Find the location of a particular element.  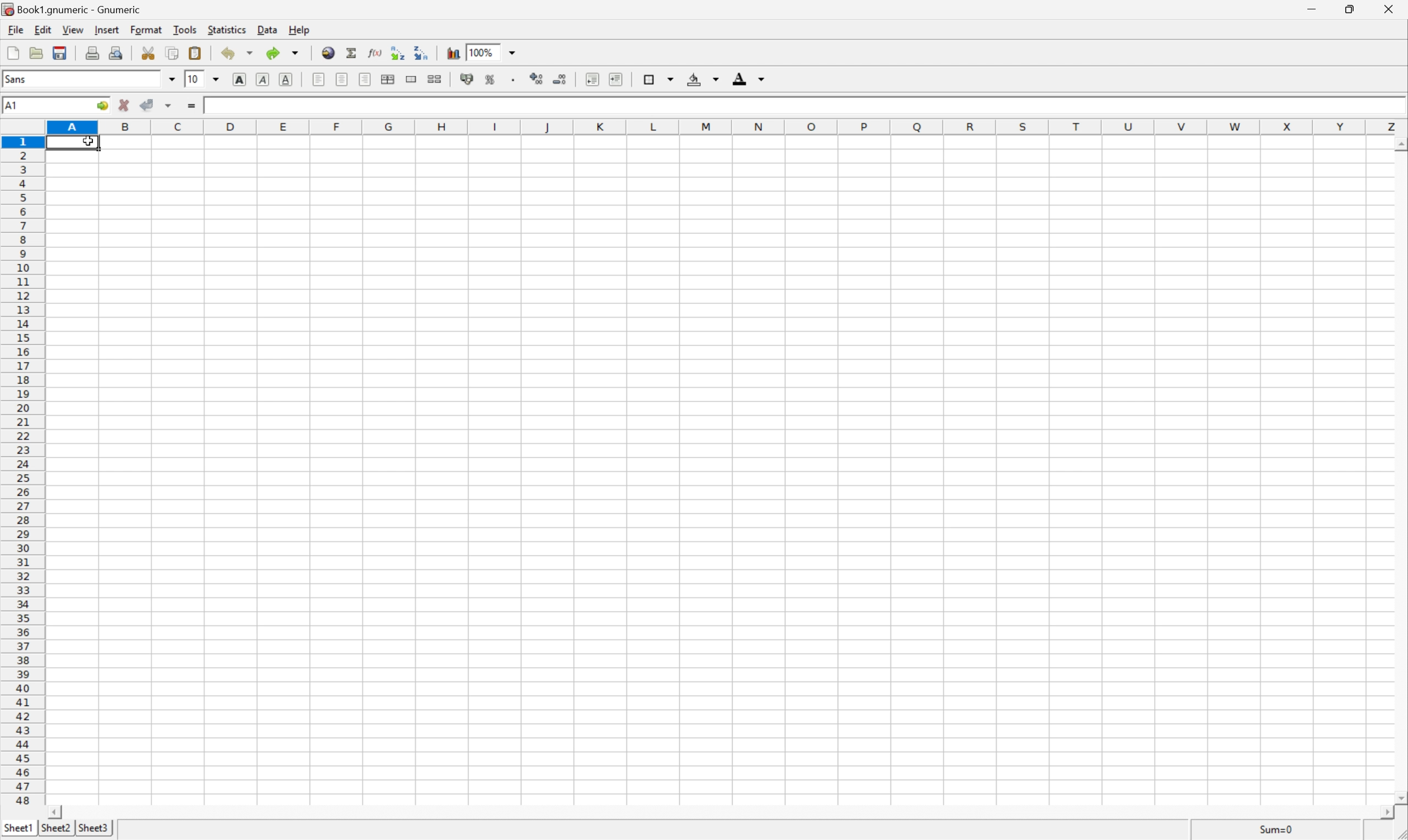

scroll left is located at coordinates (57, 812).